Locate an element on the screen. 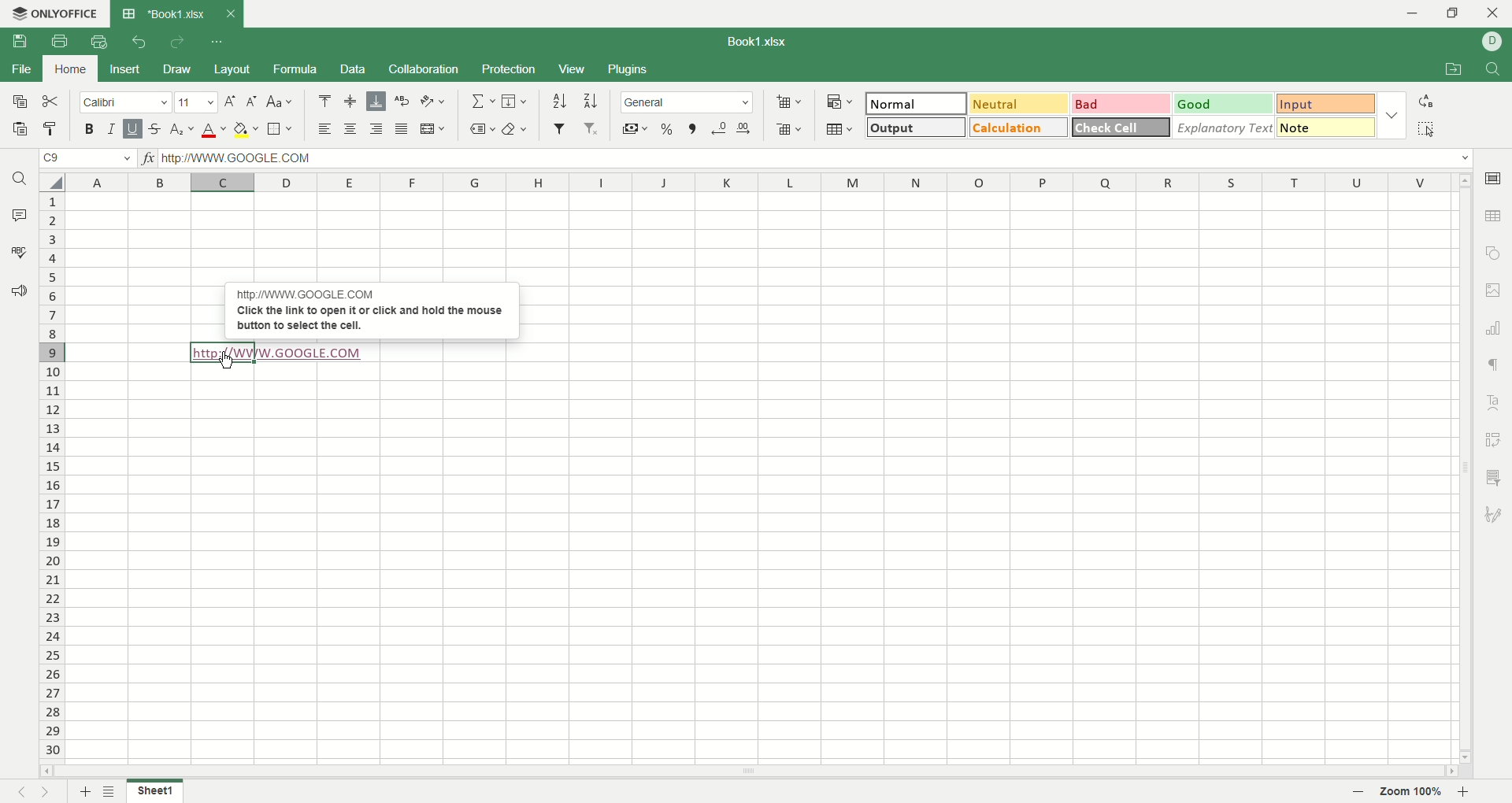 Image resolution: width=1512 pixels, height=803 pixels. zoom out is located at coordinates (1359, 792).